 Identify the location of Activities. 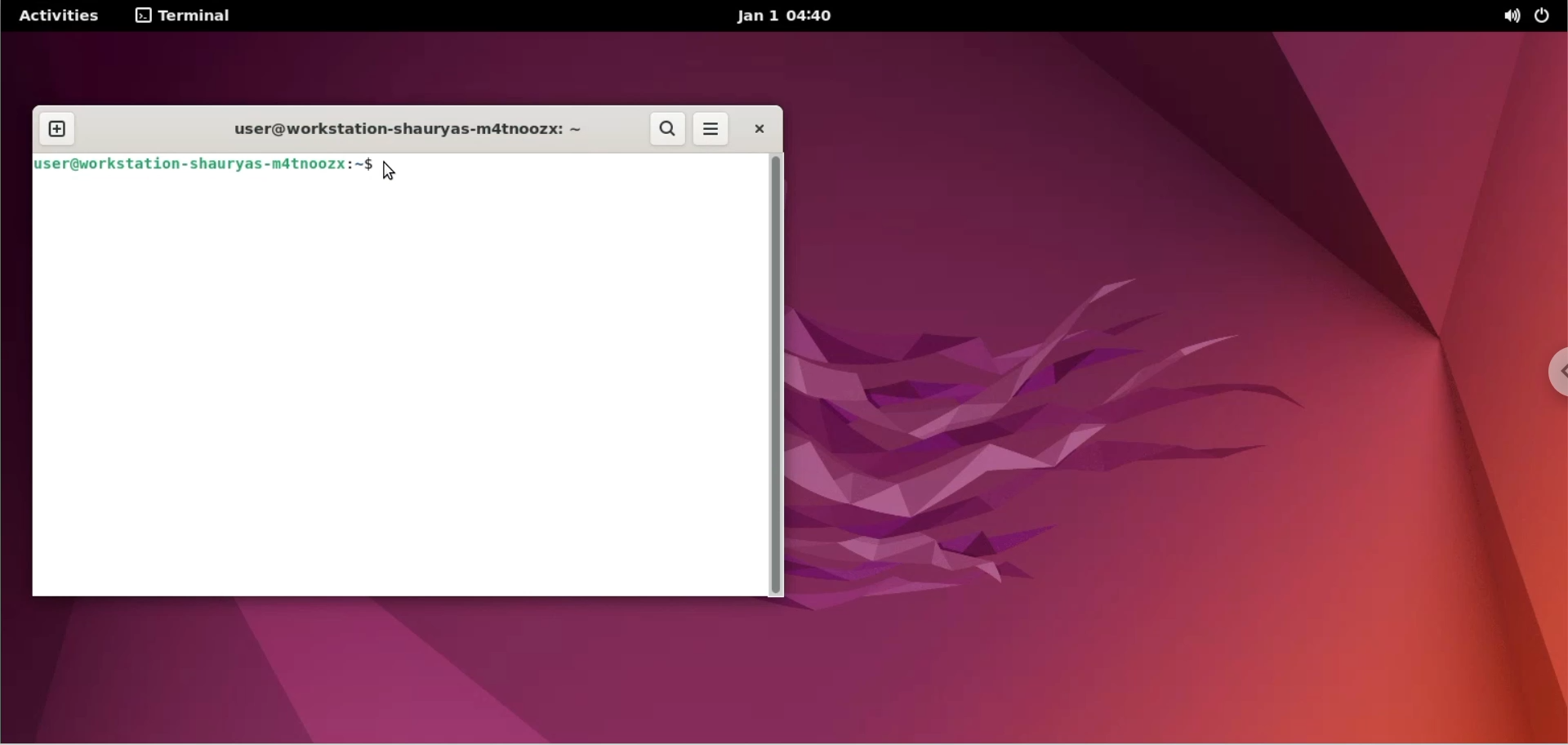
(56, 18).